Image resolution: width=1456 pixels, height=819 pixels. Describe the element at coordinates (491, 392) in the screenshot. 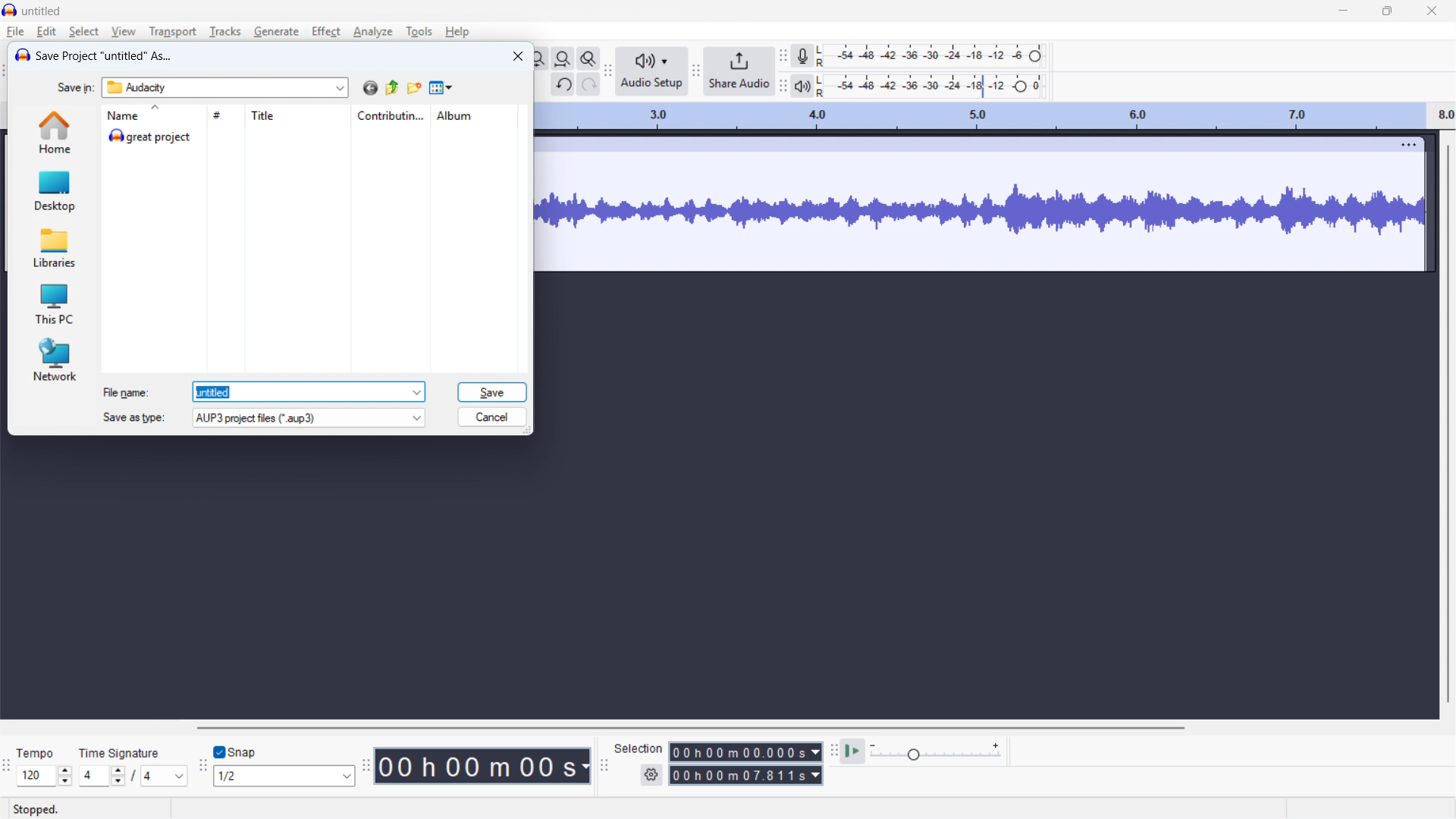

I see `save` at that location.